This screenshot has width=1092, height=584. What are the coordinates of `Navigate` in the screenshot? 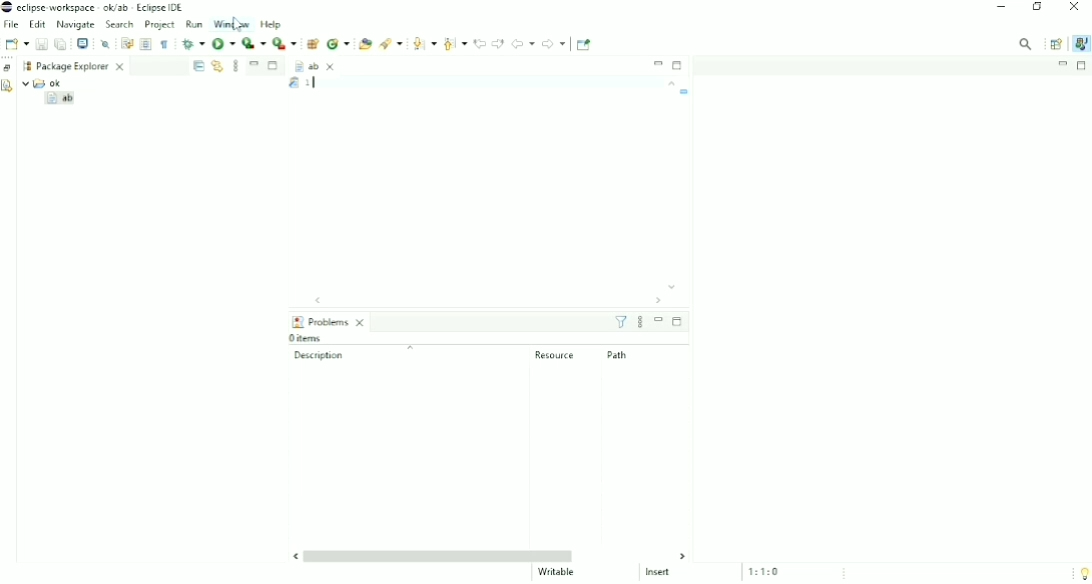 It's located at (75, 25).